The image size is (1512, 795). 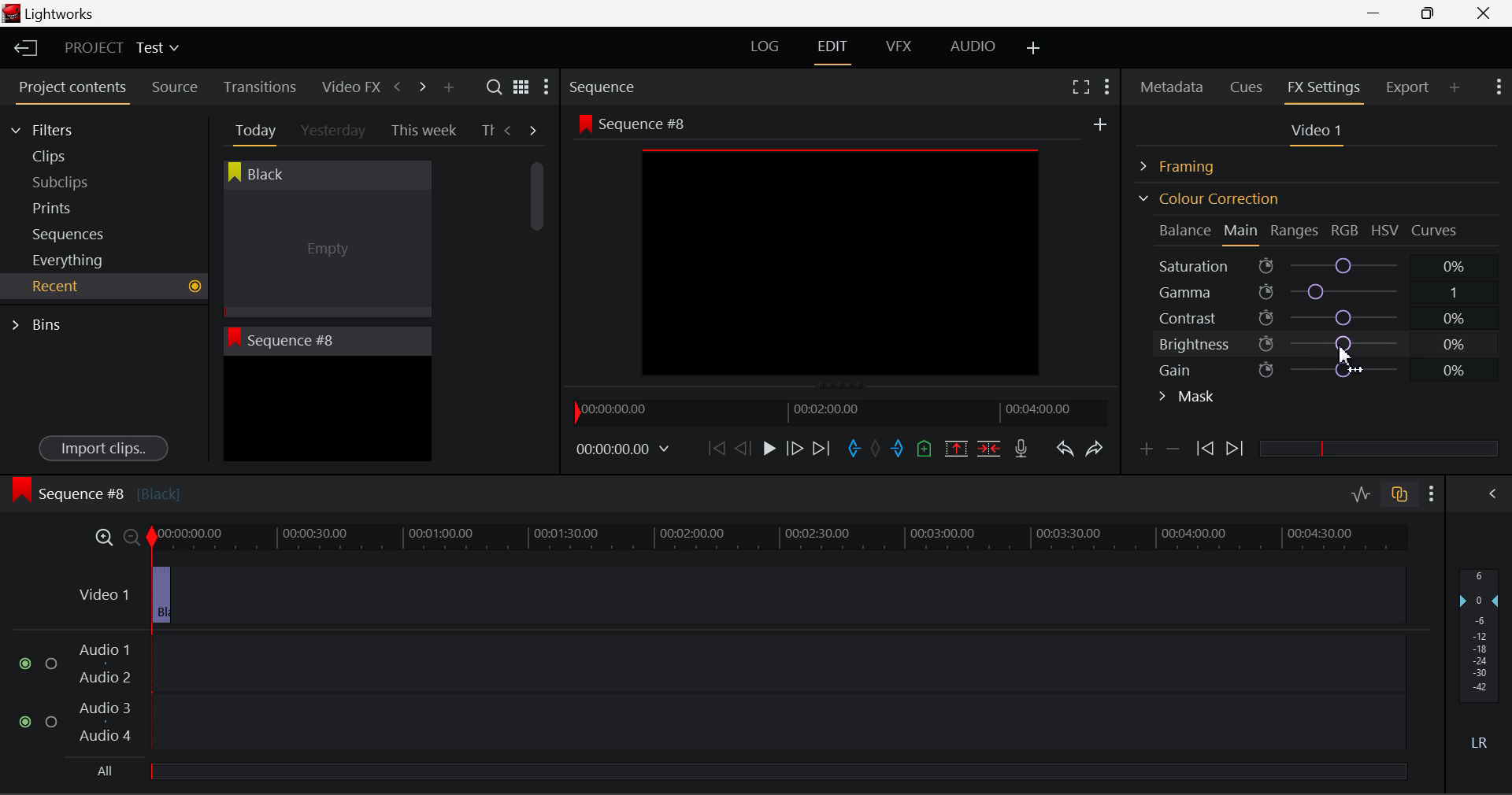 I want to click on slider, so click(x=777, y=771).